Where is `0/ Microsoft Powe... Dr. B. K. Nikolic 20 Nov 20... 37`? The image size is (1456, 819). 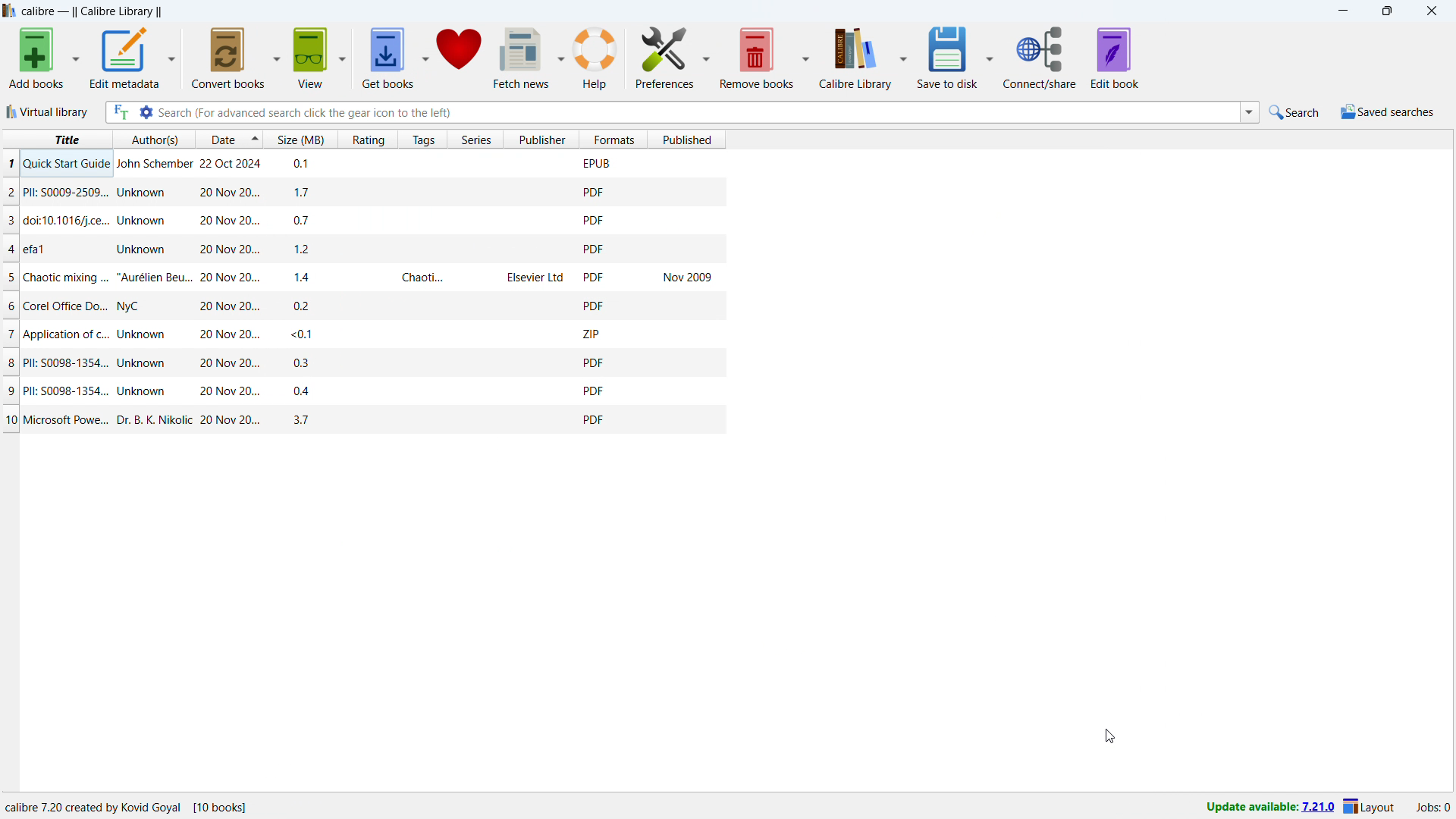 0/ Microsoft Powe... Dr. B. K. Nikolic 20 Nov 20... 37 is located at coordinates (366, 421).